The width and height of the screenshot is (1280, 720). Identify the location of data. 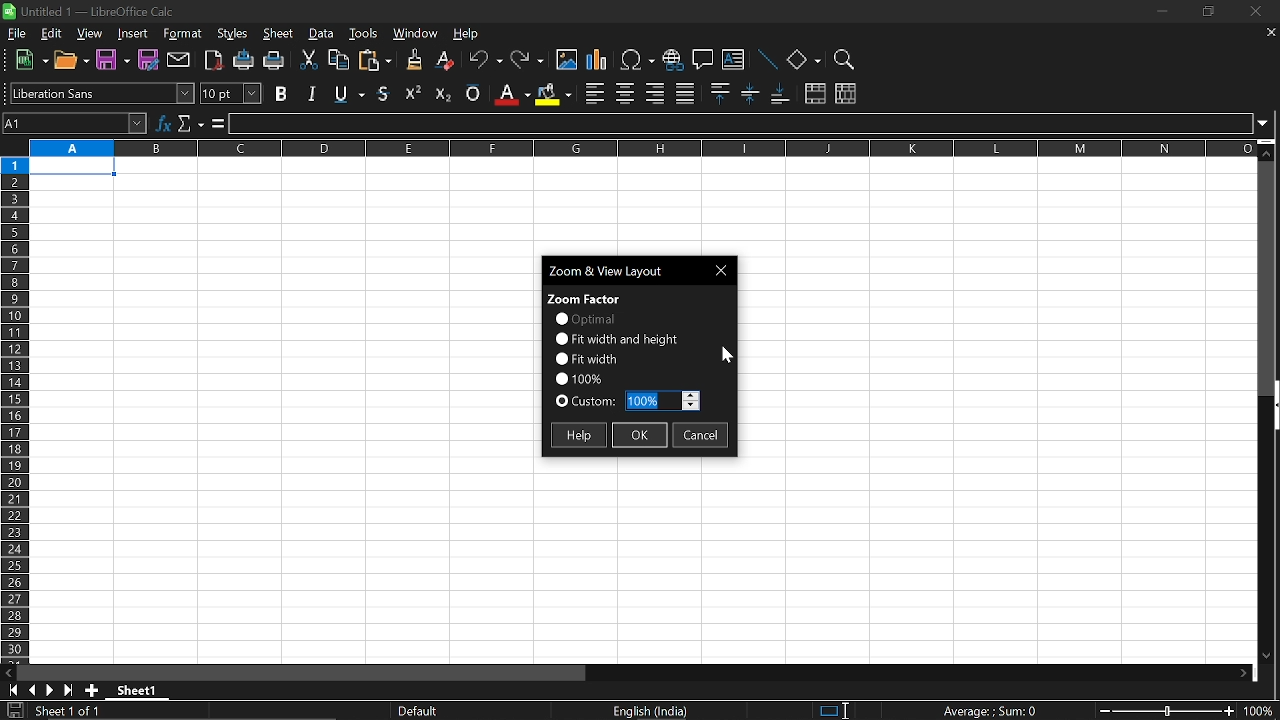
(322, 34).